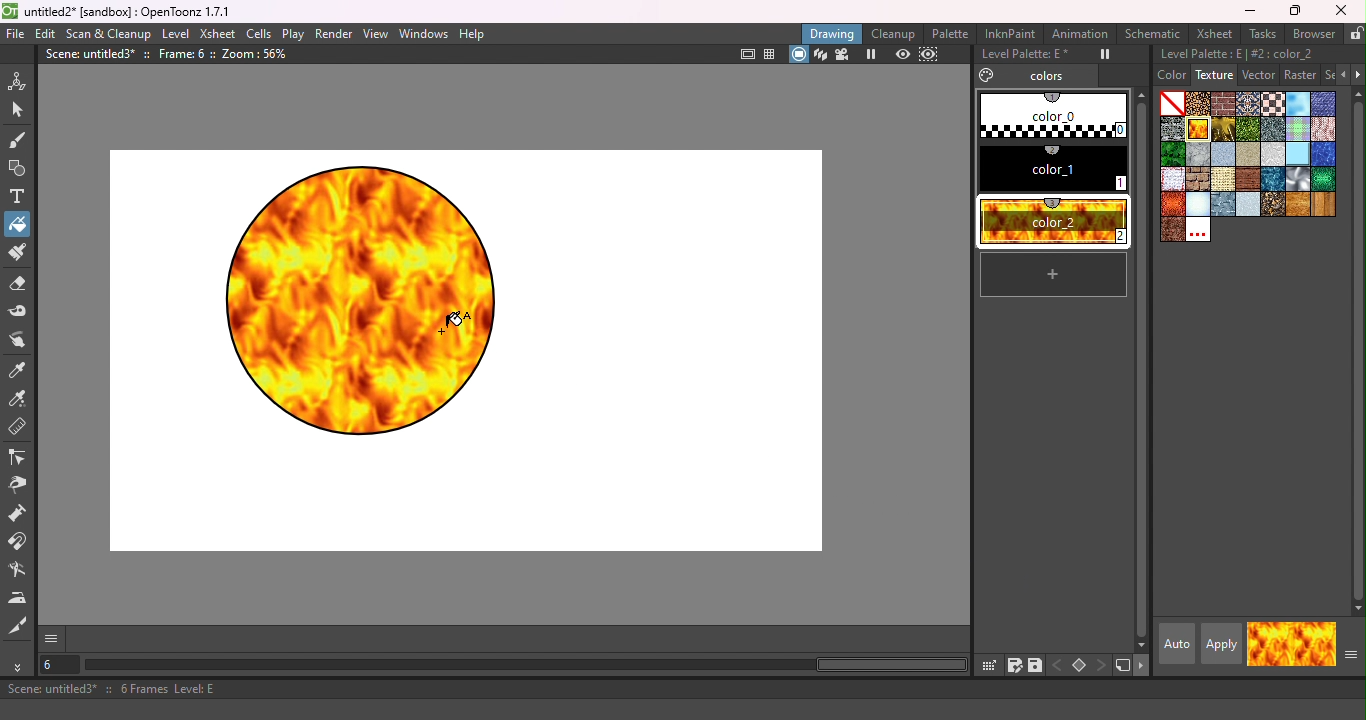 Image resolution: width=1366 pixels, height=720 pixels. Describe the element at coordinates (1080, 34) in the screenshot. I see `Animation` at that location.